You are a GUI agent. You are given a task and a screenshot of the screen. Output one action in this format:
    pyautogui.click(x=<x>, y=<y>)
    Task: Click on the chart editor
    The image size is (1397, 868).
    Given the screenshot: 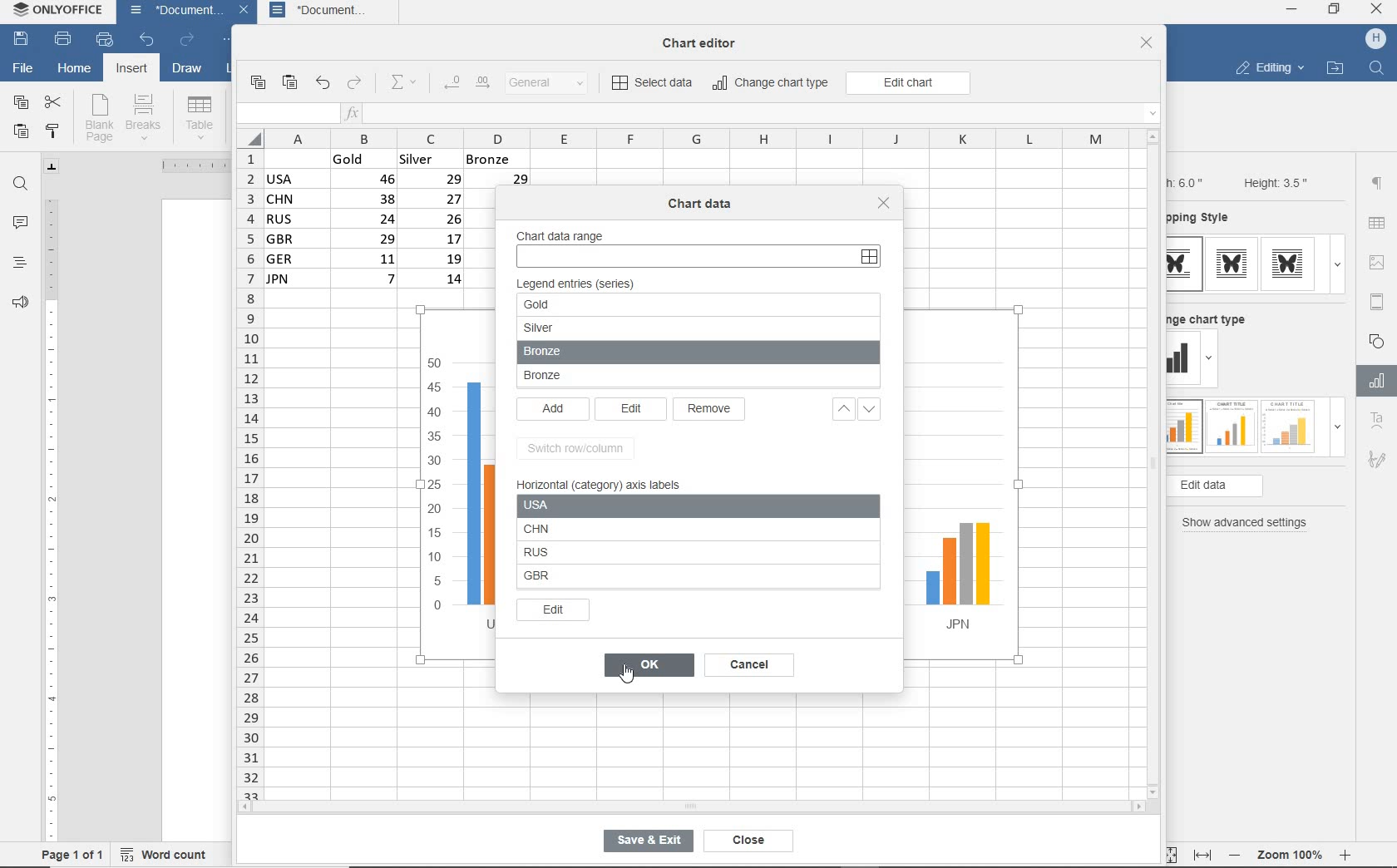 What is the action you would take?
    pyautogui.click(x=705, y=38)
    